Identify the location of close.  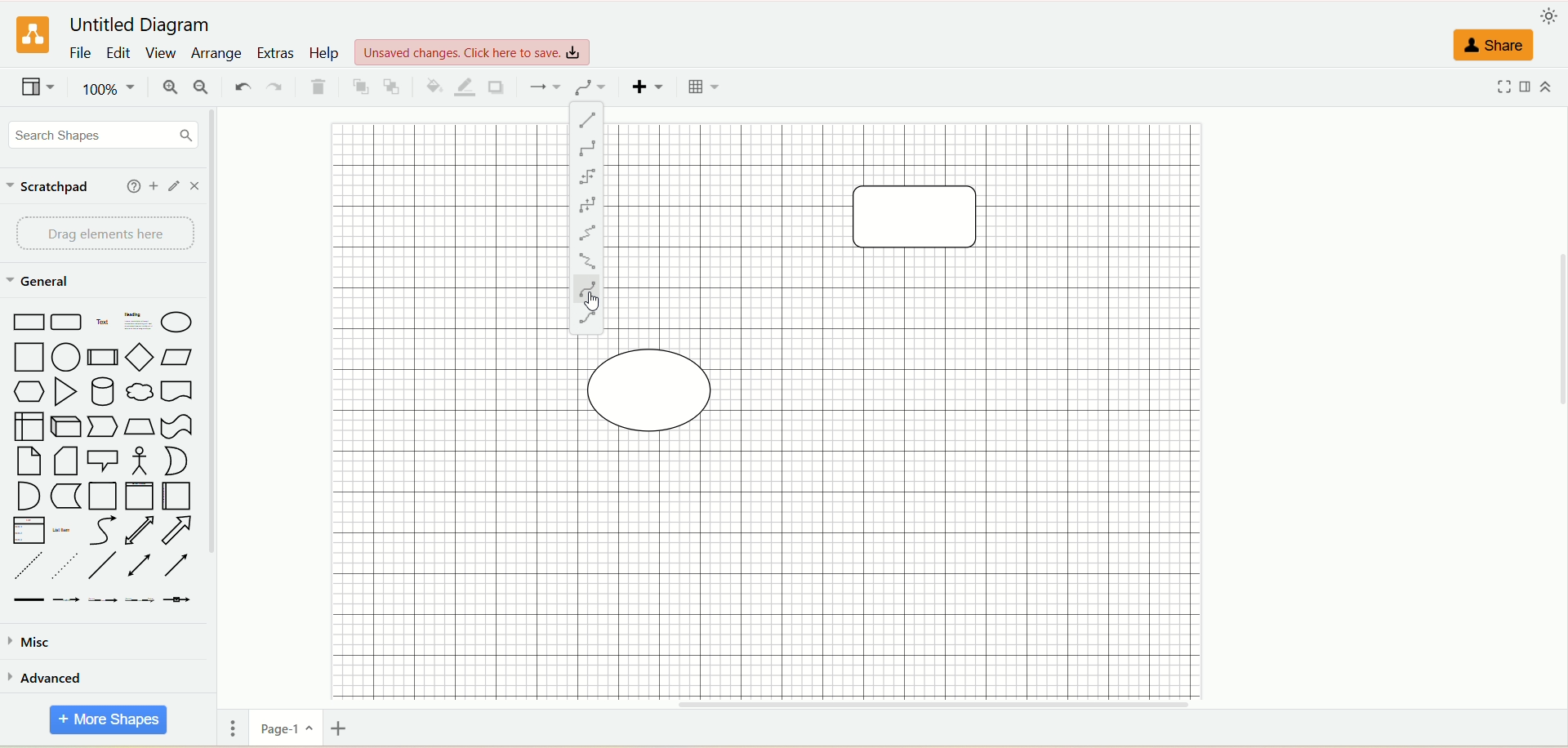
(197, 185).